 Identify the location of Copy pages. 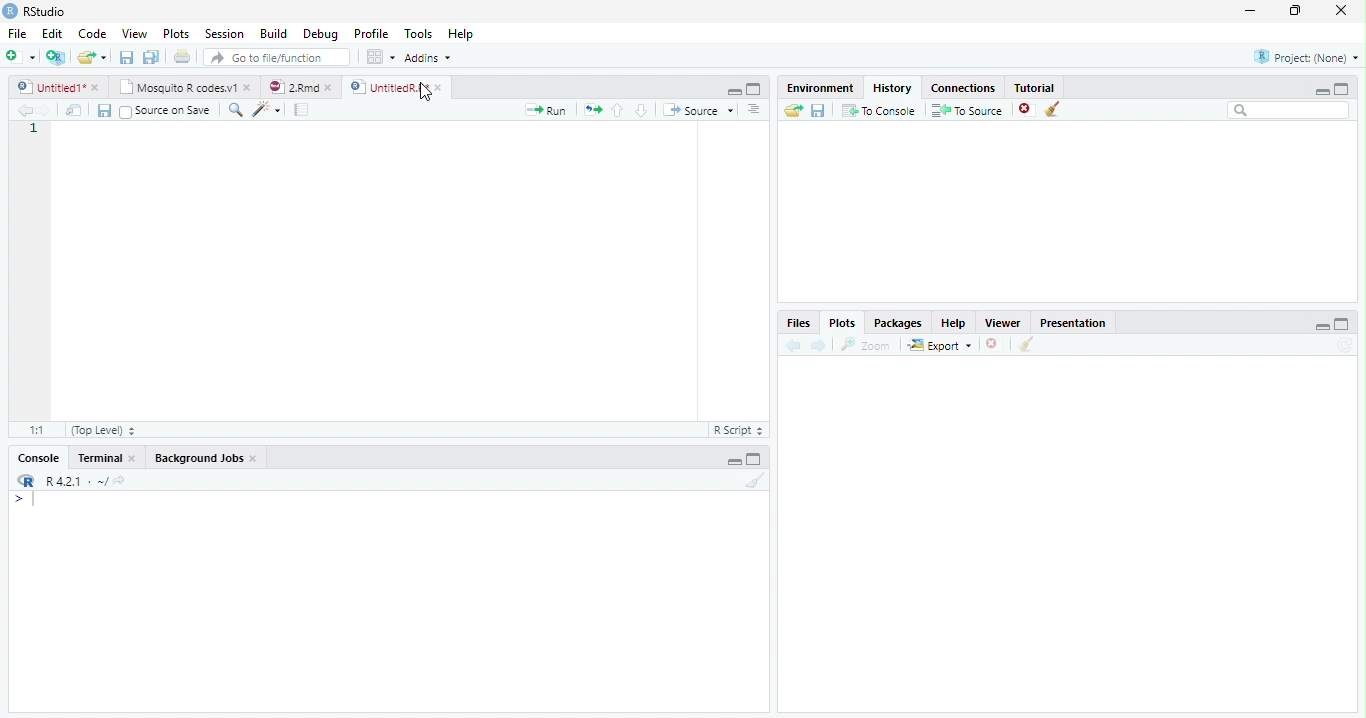
(590, 109).